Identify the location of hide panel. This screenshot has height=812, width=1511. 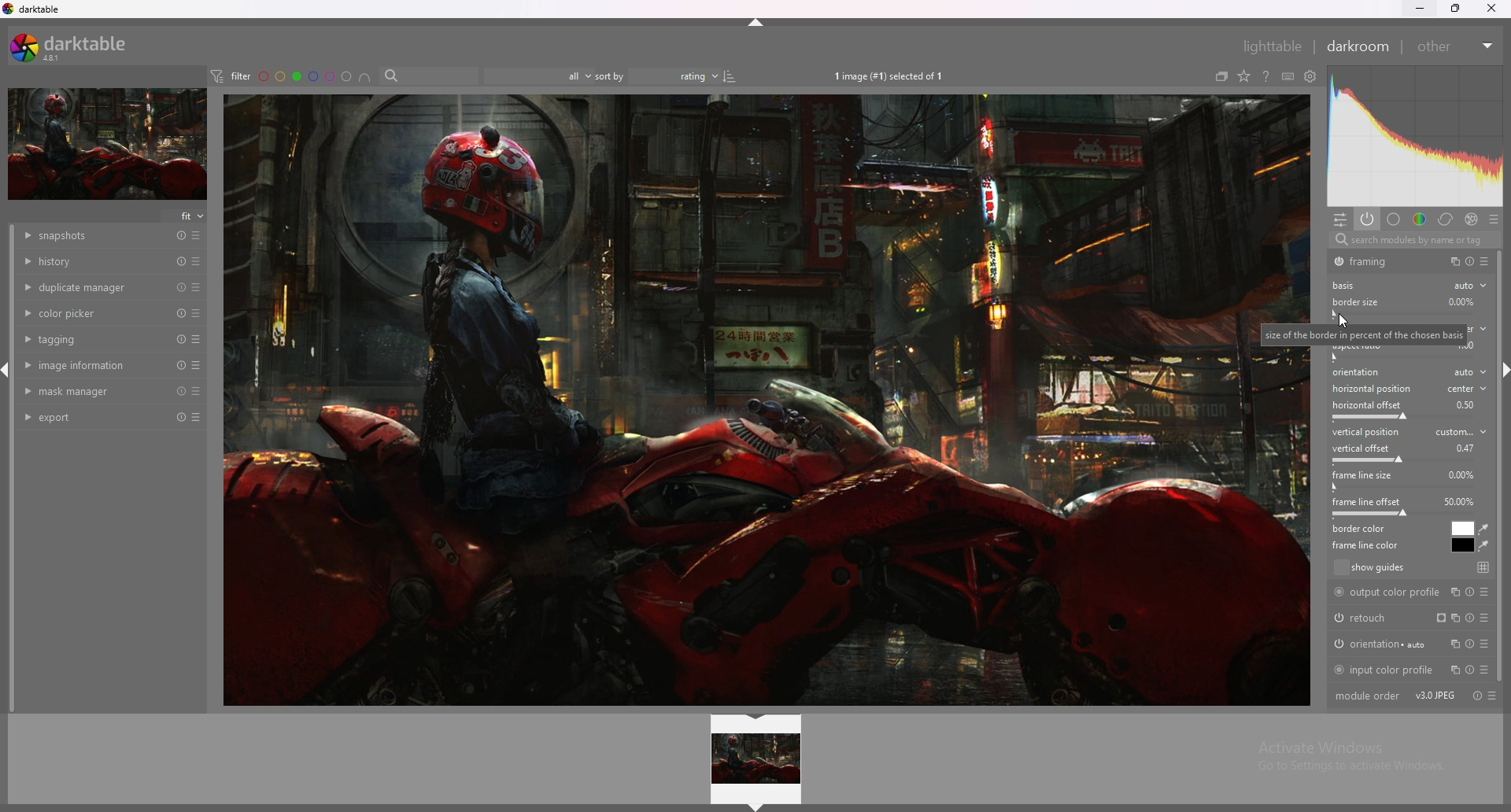
(755, 806).